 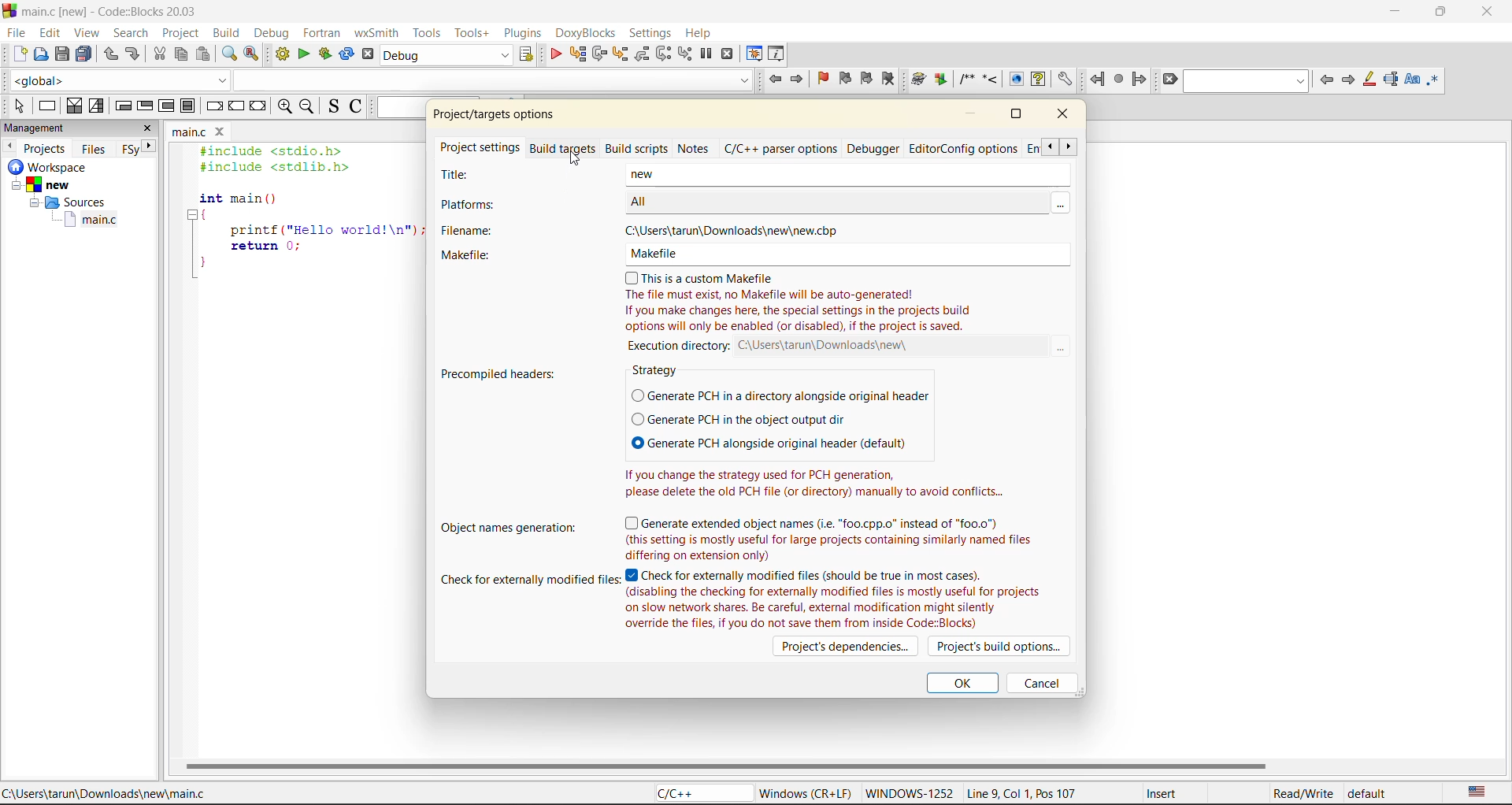 What do you see at coordinates (780, 149) in the screenshot?
I see `c/c++ parser options` at bounding box center [780, 149].